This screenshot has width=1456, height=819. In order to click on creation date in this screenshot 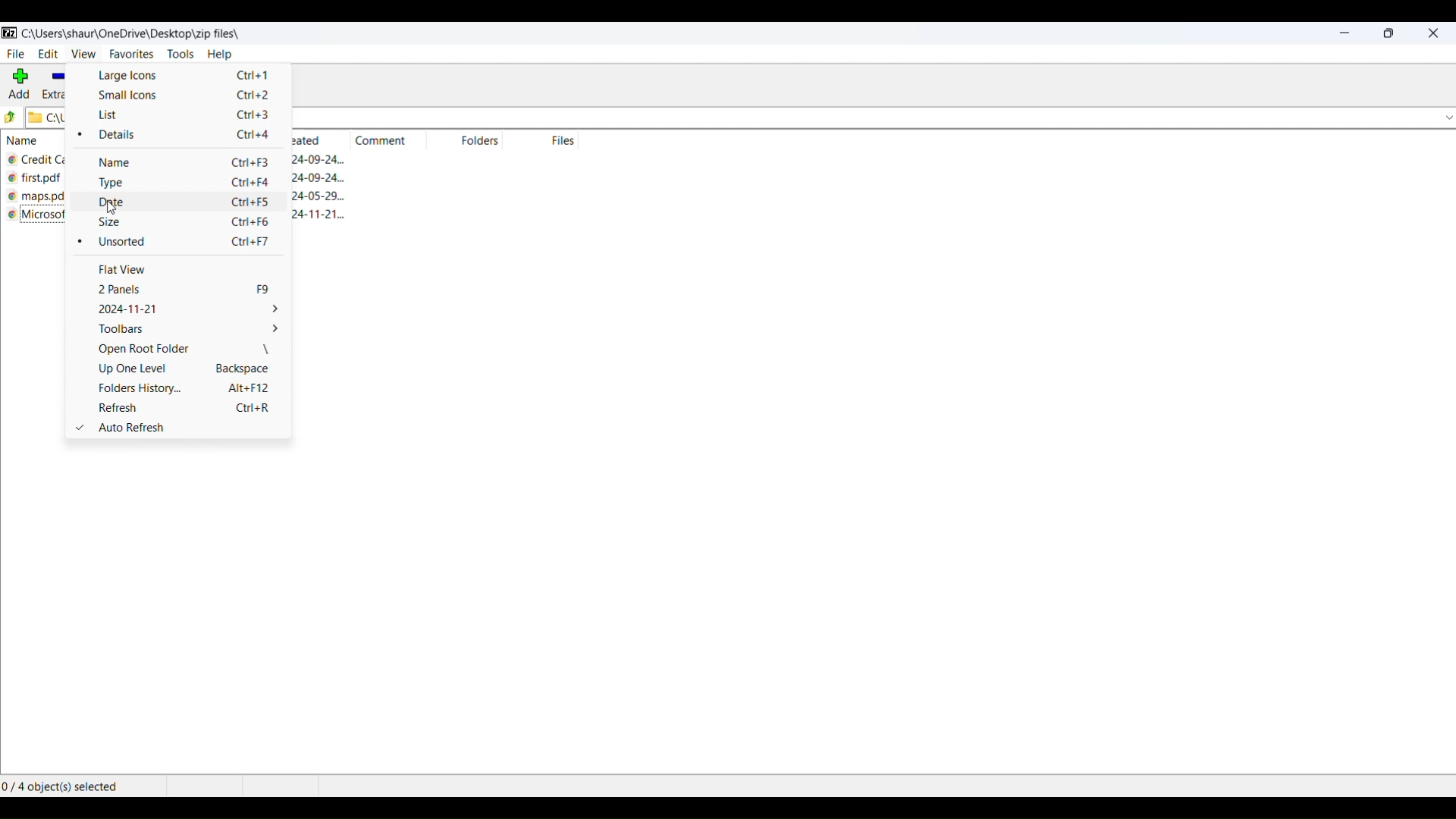, I will do `click(311, 159)`.